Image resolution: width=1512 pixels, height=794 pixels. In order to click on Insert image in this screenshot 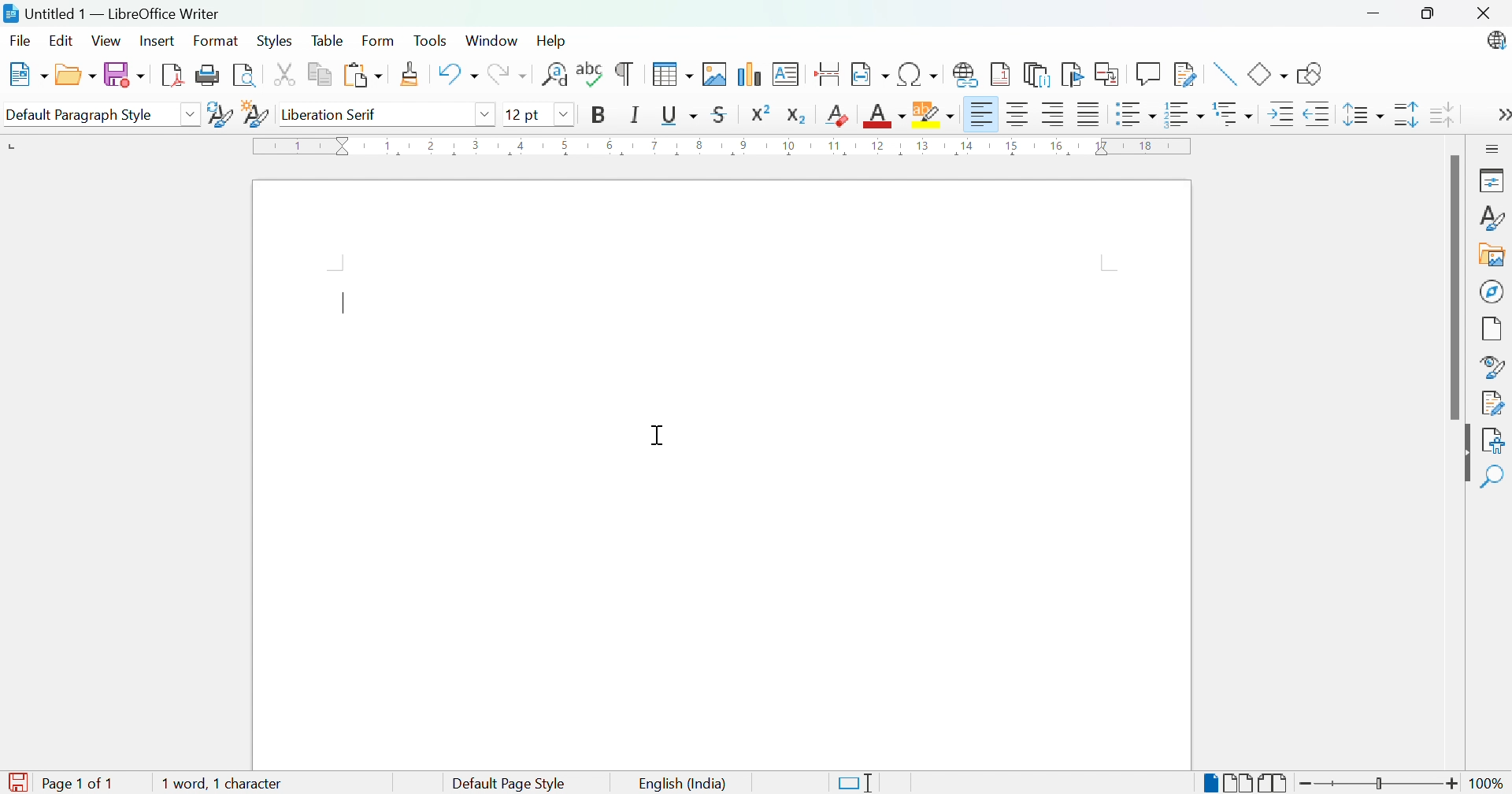, I will do `click(714, 74)`.